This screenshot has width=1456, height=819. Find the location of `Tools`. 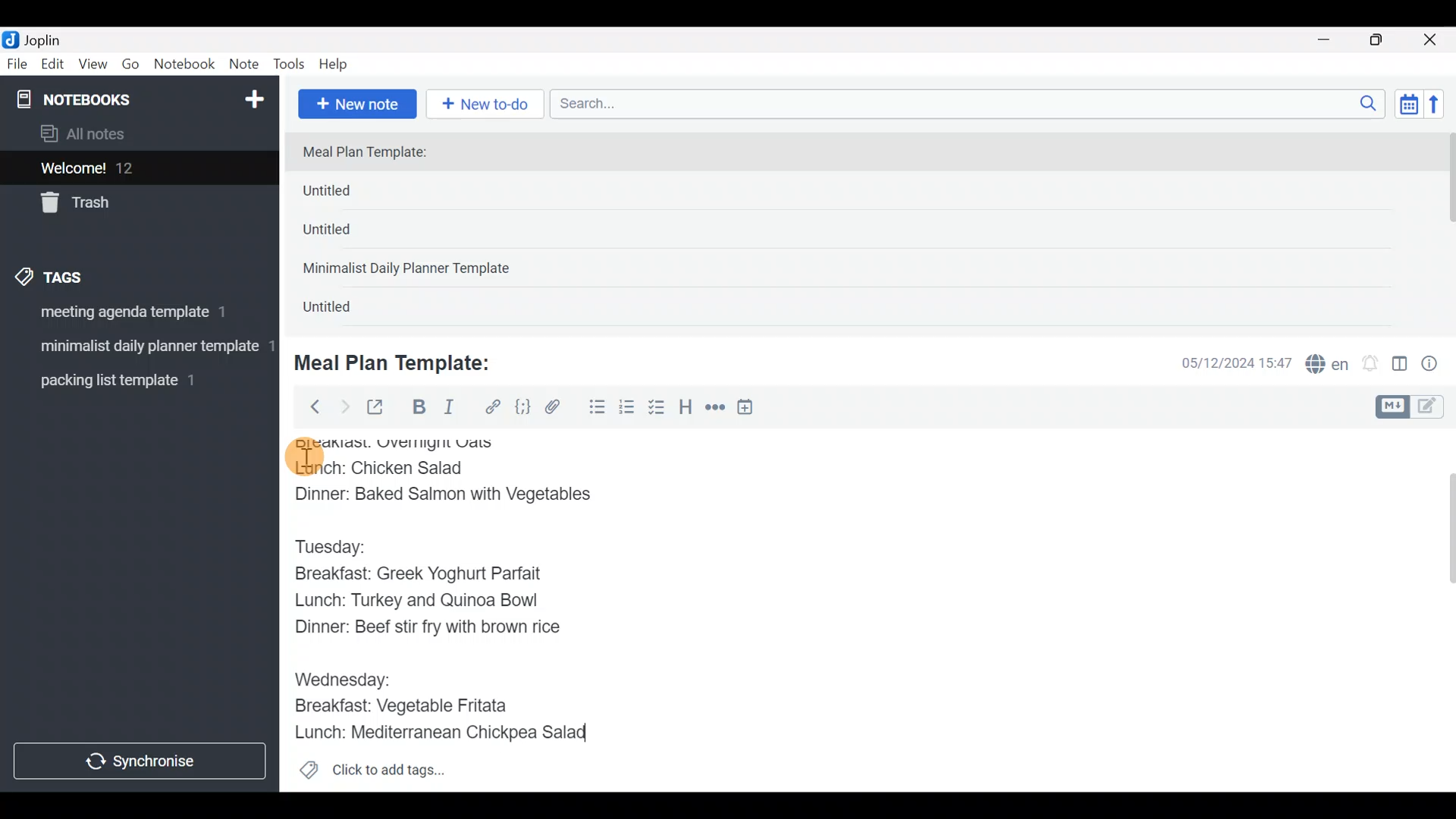

Tools is located at coordinates (290, 65).